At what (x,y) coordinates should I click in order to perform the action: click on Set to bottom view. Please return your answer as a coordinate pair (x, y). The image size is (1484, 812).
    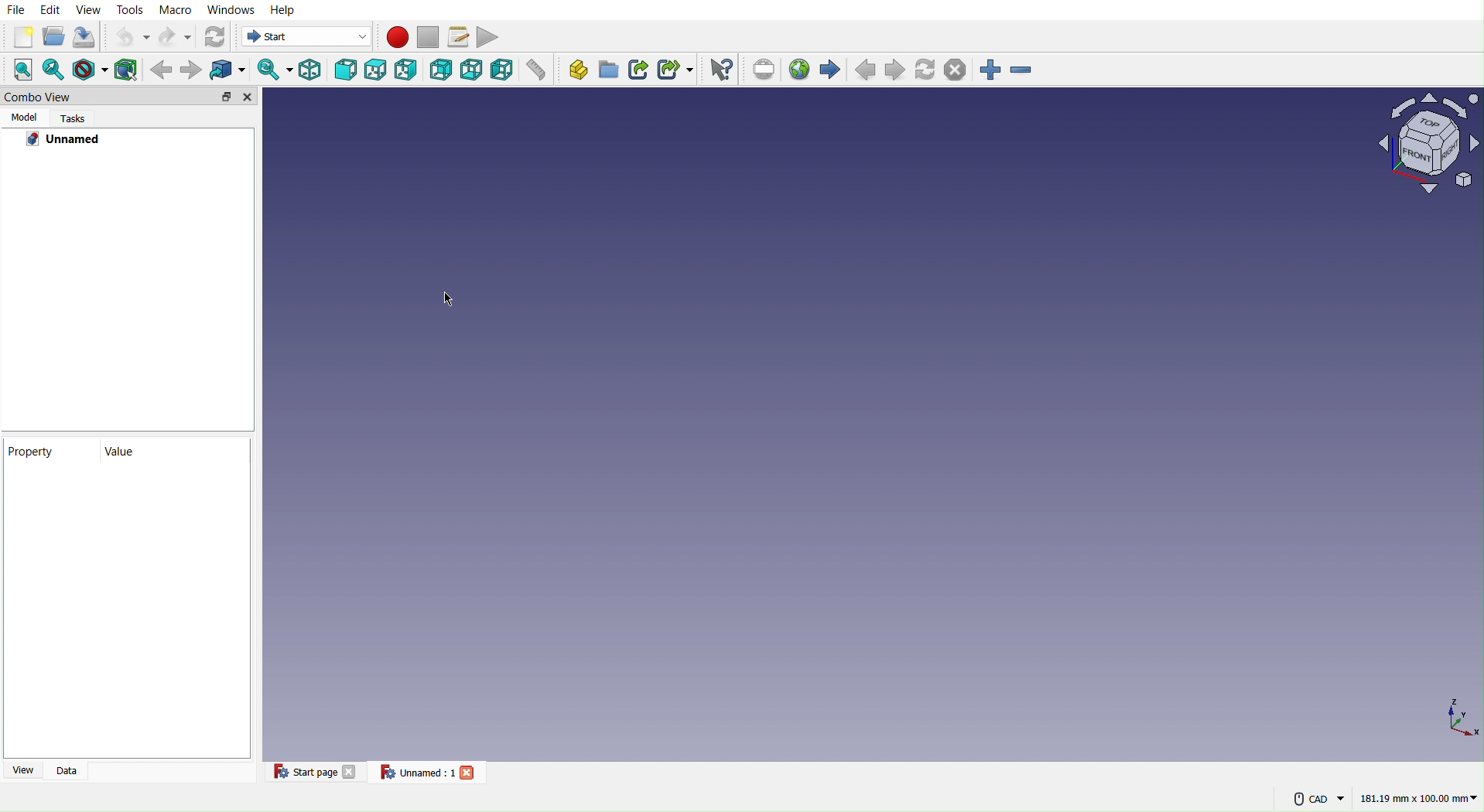
    Looking at the image, I should click on (473, 70).